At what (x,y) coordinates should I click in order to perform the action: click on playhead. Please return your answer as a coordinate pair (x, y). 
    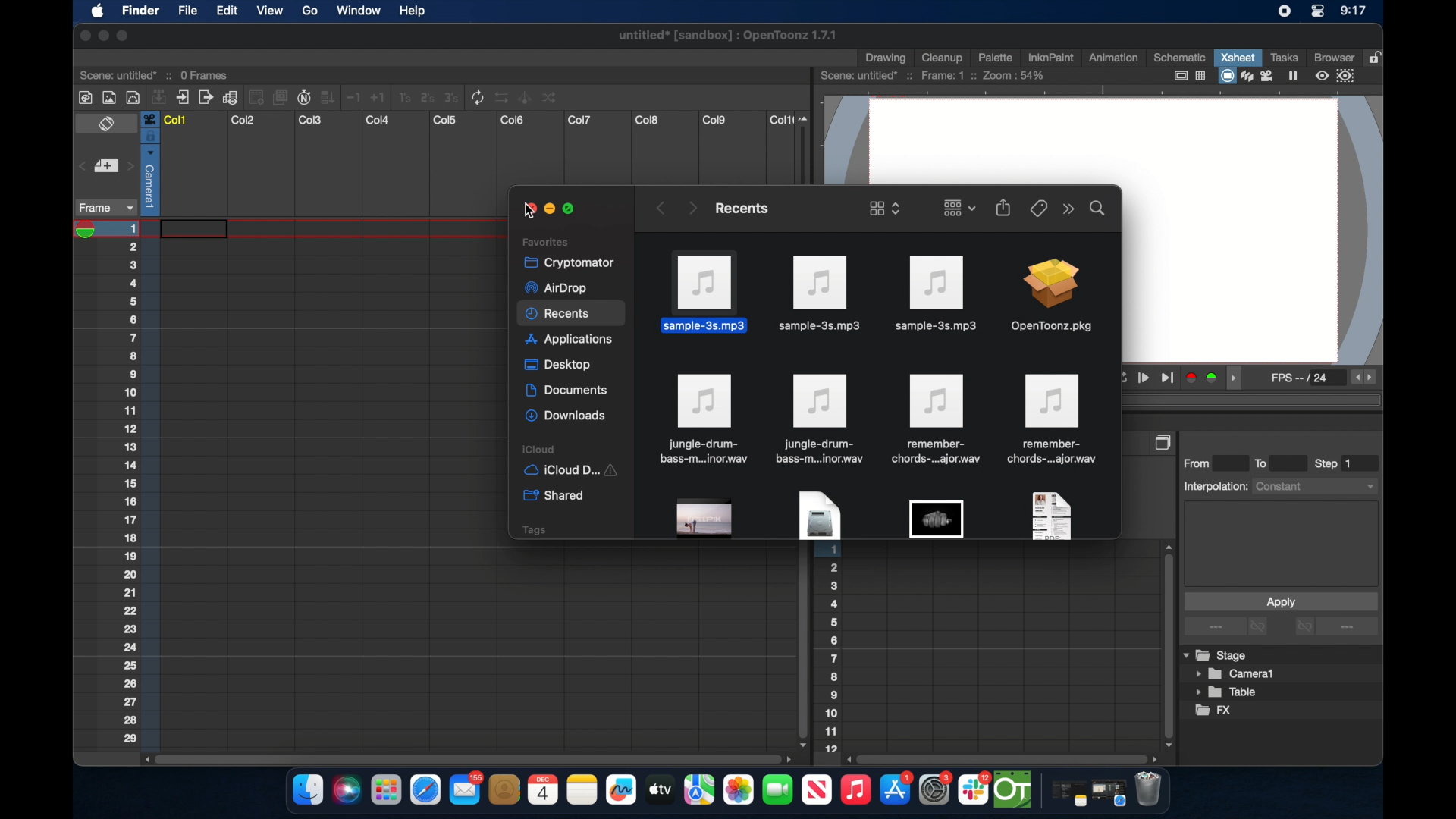
    Looking at the image, I should click on (90, 230).